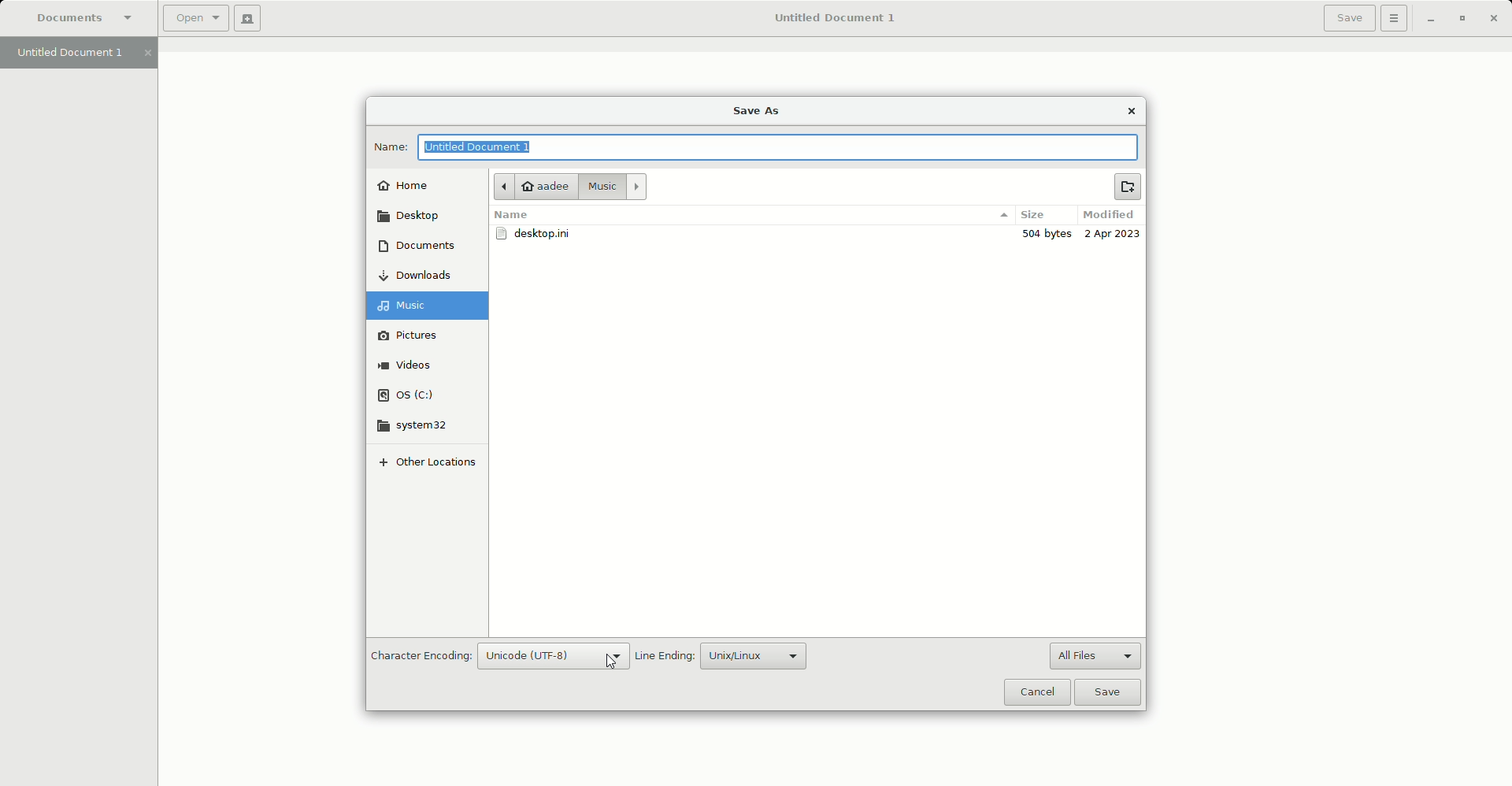 The image size is (1512, 786). What do you see at coordinates (536, 235) in the screenshot?
I see `desktop.ini` at bounding box center [536, 235].